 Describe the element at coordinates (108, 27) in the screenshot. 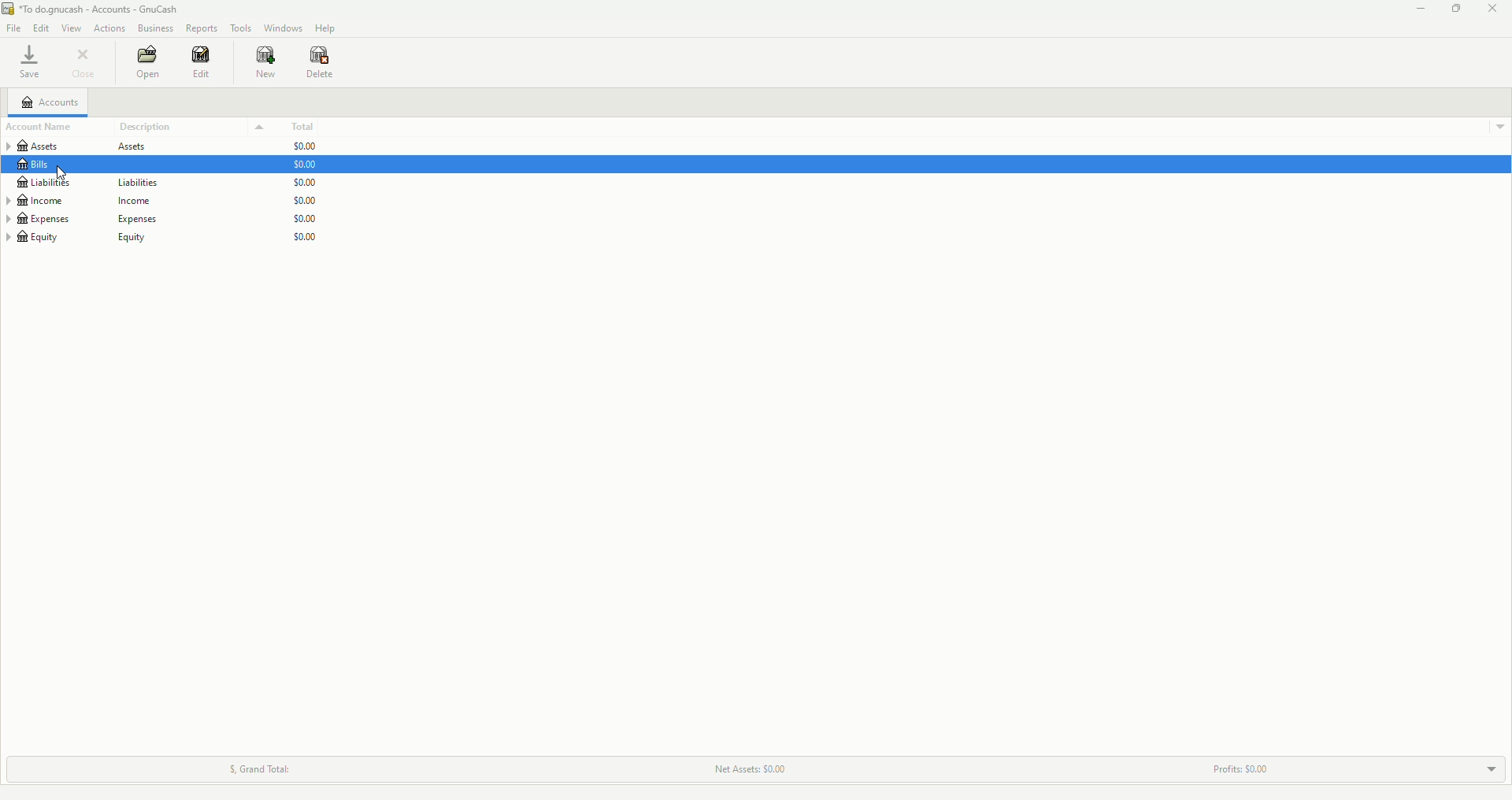

I see `Actions` at that location.